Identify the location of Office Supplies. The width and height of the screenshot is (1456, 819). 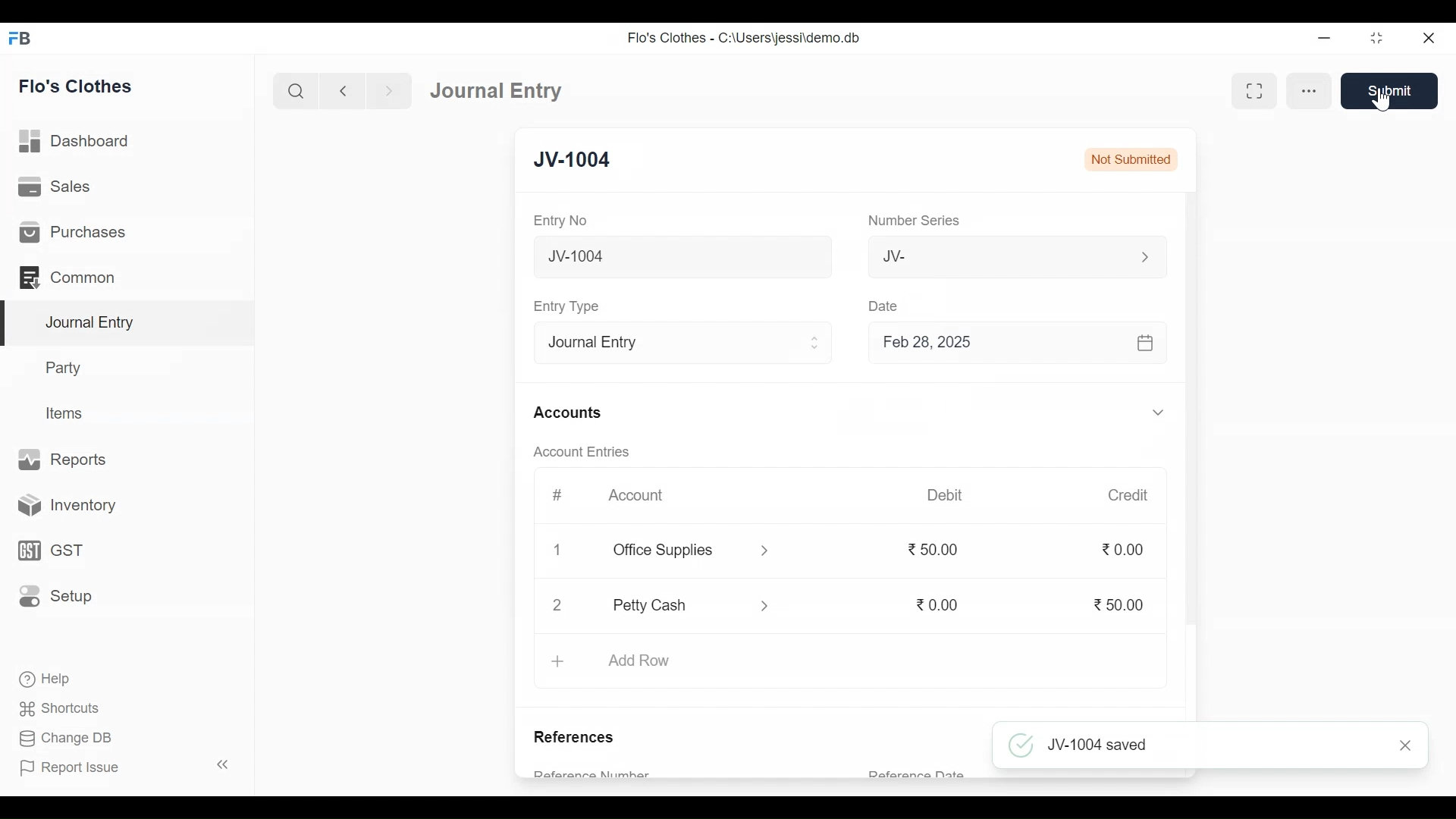
(674, 551).